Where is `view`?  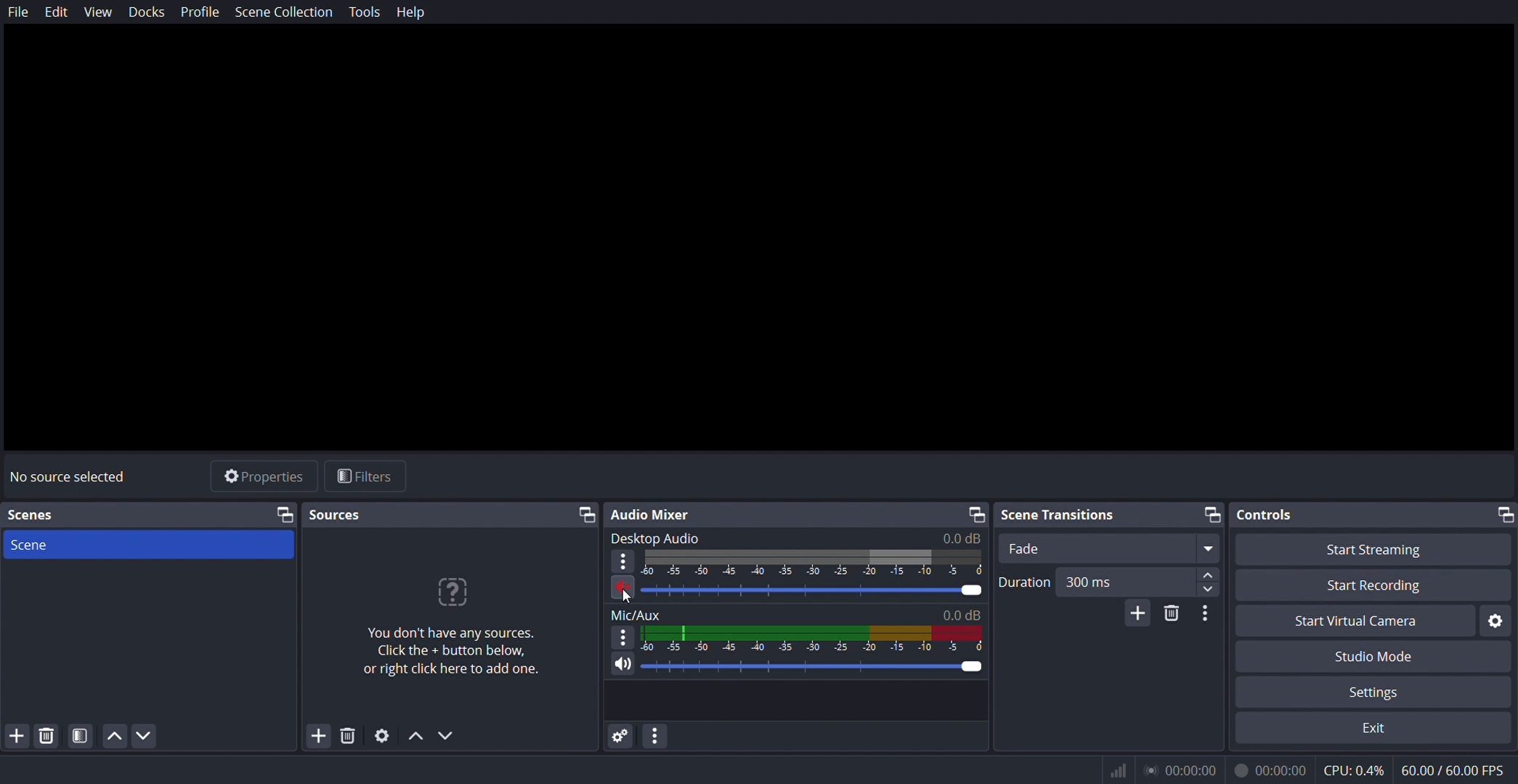 view is located at coordinates (101, 12).